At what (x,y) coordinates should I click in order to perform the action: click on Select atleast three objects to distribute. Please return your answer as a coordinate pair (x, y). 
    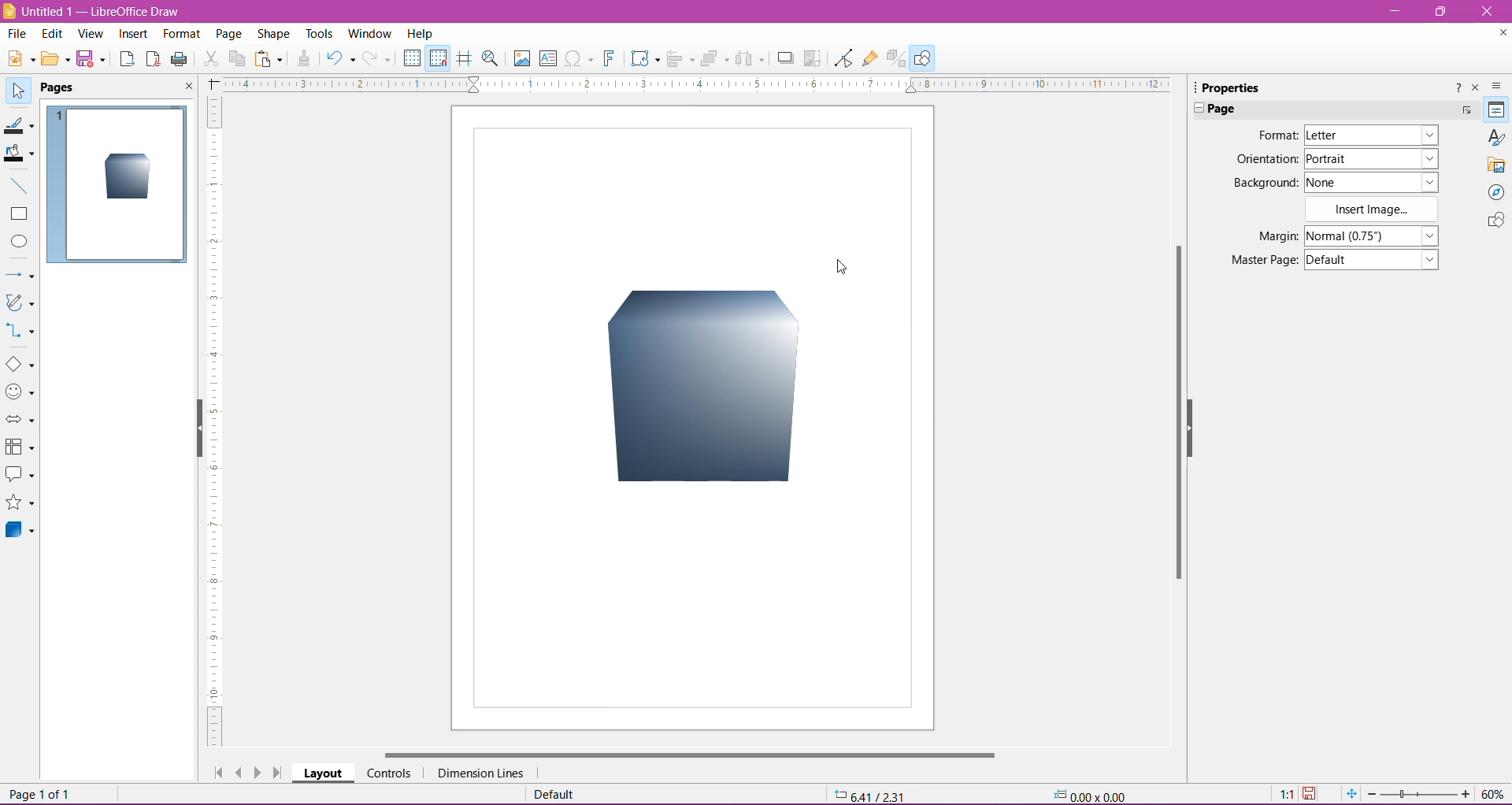
    Looking at the image, I should click on (749, 58).